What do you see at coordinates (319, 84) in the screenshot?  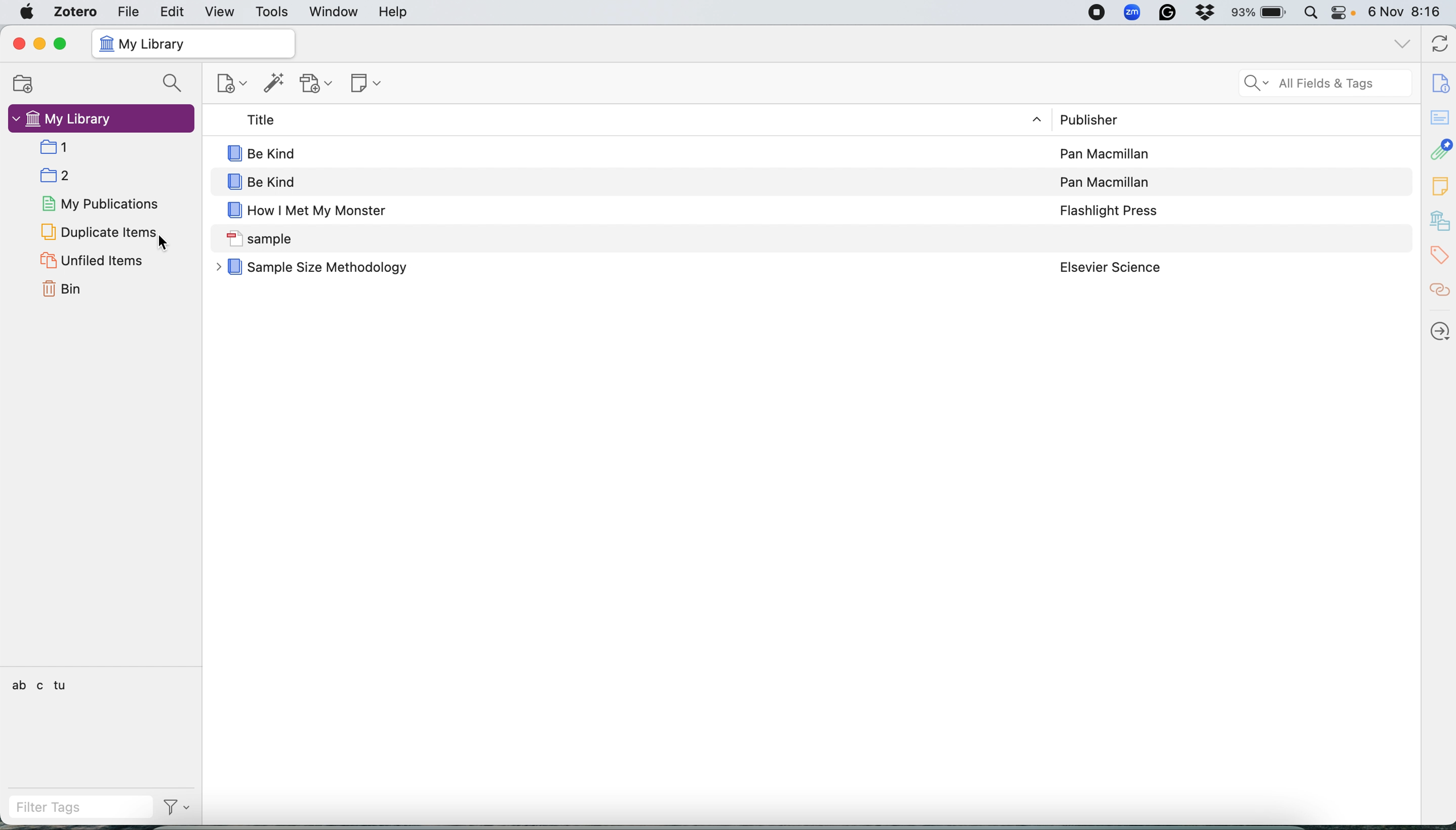 I see `add item with attachment` at bounding box center [319, 84].